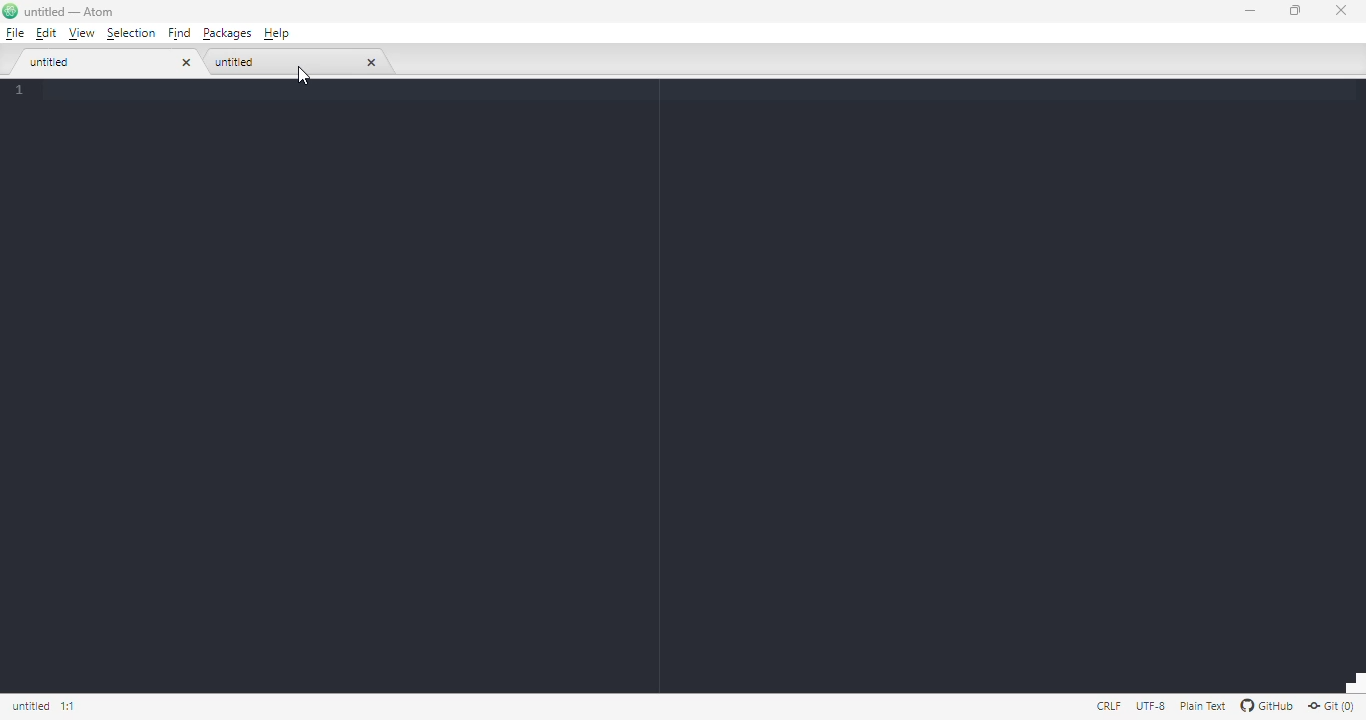 The width and height of the screenshot is (1366, 720). What do you see at coordinates (1202, 706) in the screenshot?
I see `plain text` at bounding box center [1202, 706].